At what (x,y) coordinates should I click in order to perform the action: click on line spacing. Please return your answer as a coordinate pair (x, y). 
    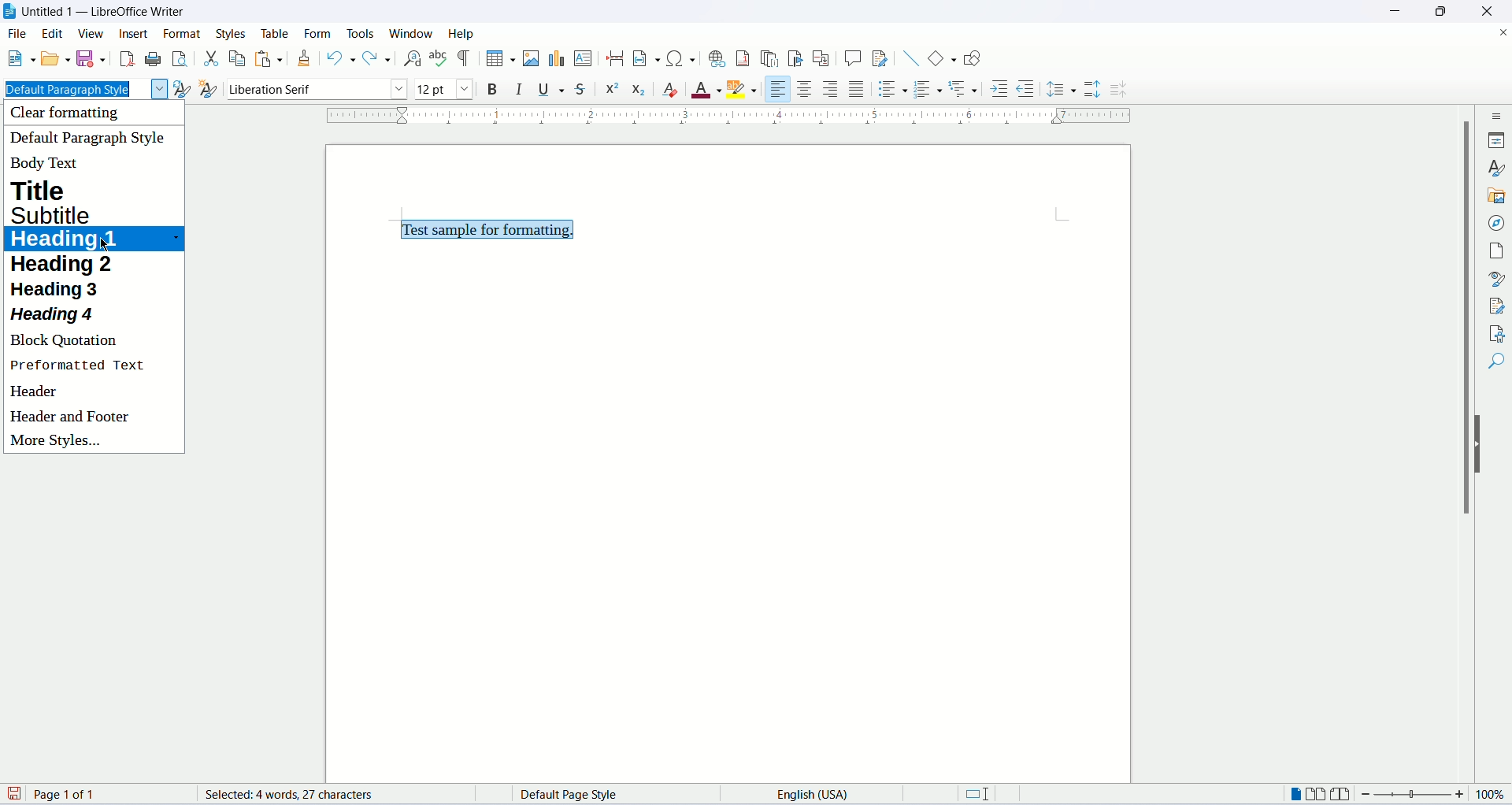
    Looking at the image, I should click on (1062, 88).